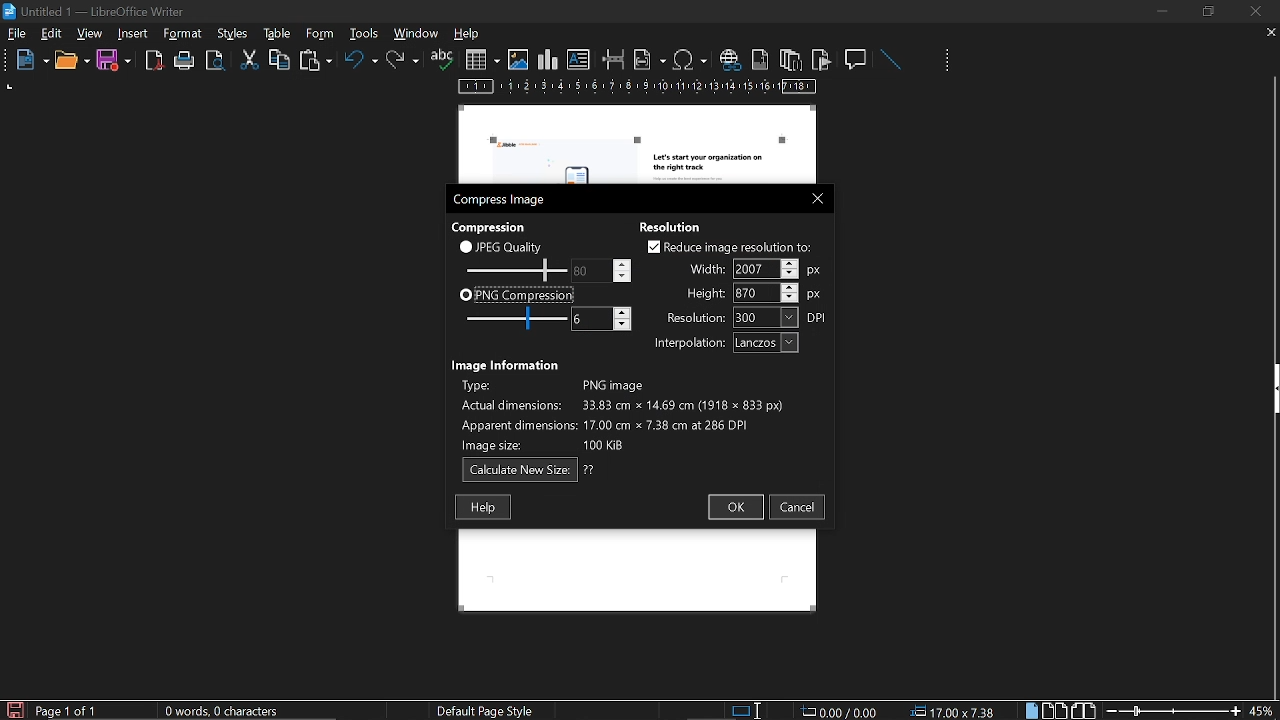  Describe the element at coordinates (747, 317) in the screenshot. I see `resolution` at that location.